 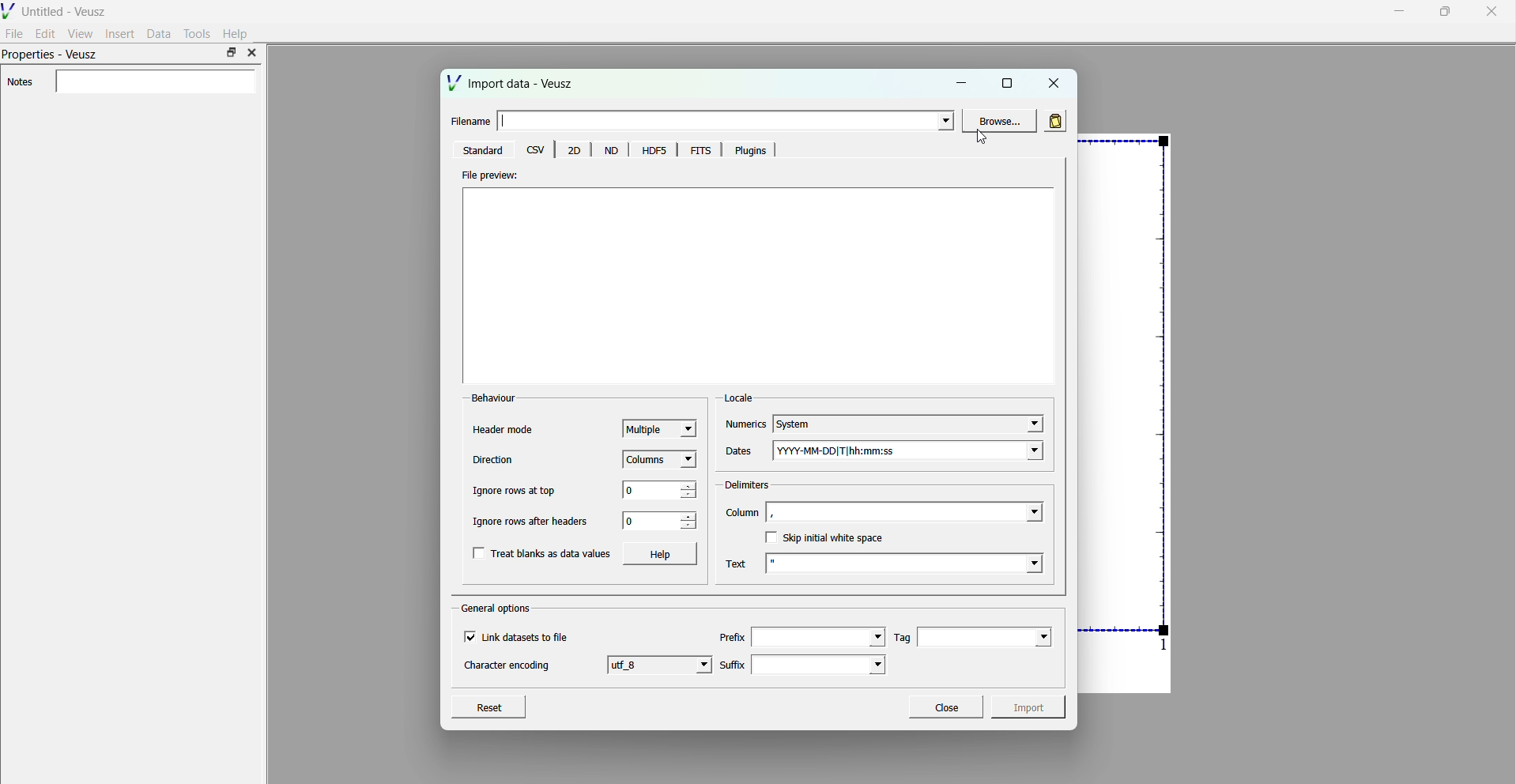 What do you see at coordinates (660, 427) in the screenshot?
I see `Multiple` at bounding box center [660, 427].